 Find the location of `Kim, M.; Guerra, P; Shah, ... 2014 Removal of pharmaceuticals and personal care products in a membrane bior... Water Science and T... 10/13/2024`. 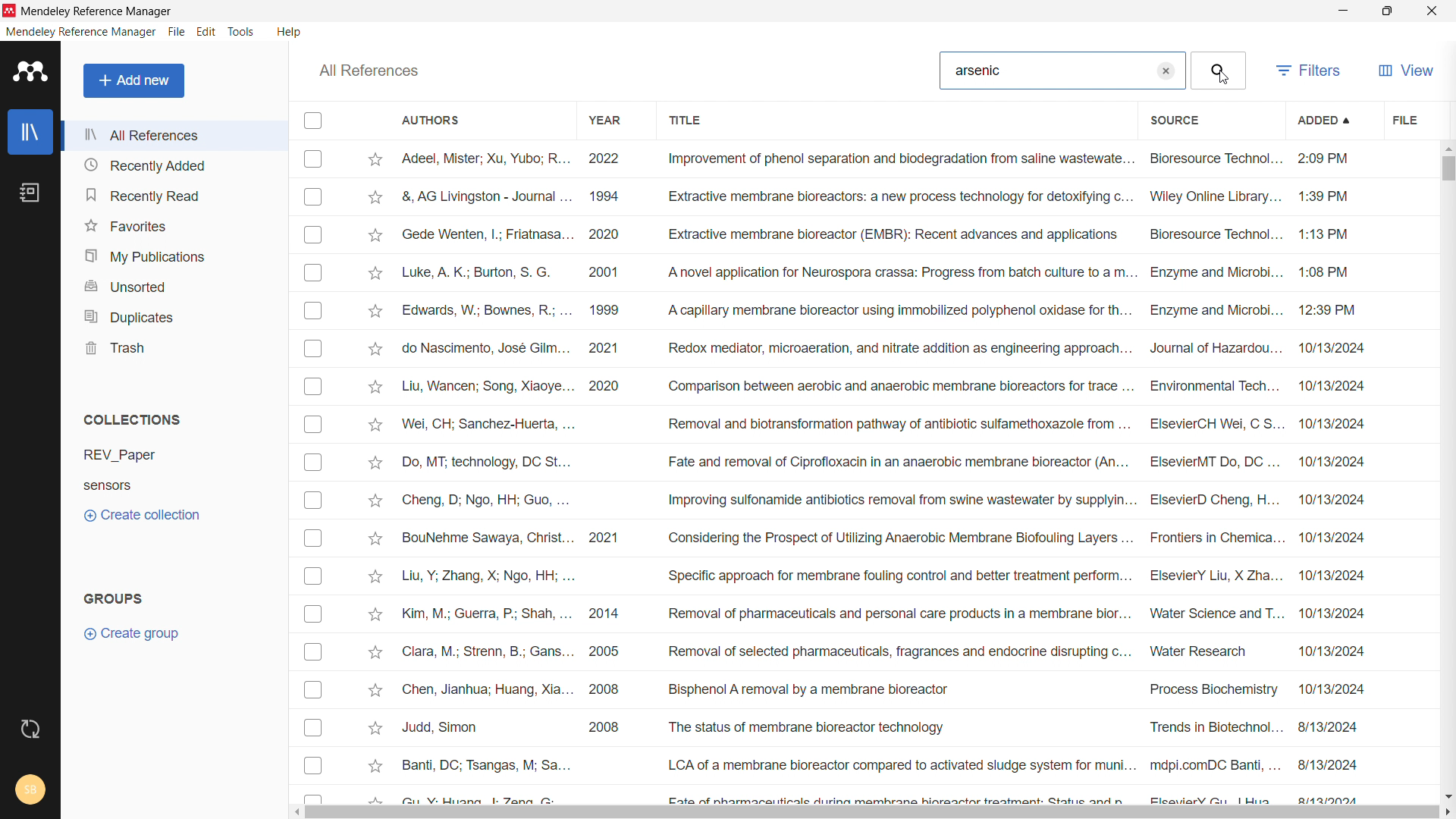

Kim, M.; Guerra, P; Shah, ... 2014 Removal of pharmaceuticals and personal care products in a membrane bior... Water Science and T... 10/13/2024 is located at coordinates (886, 612).